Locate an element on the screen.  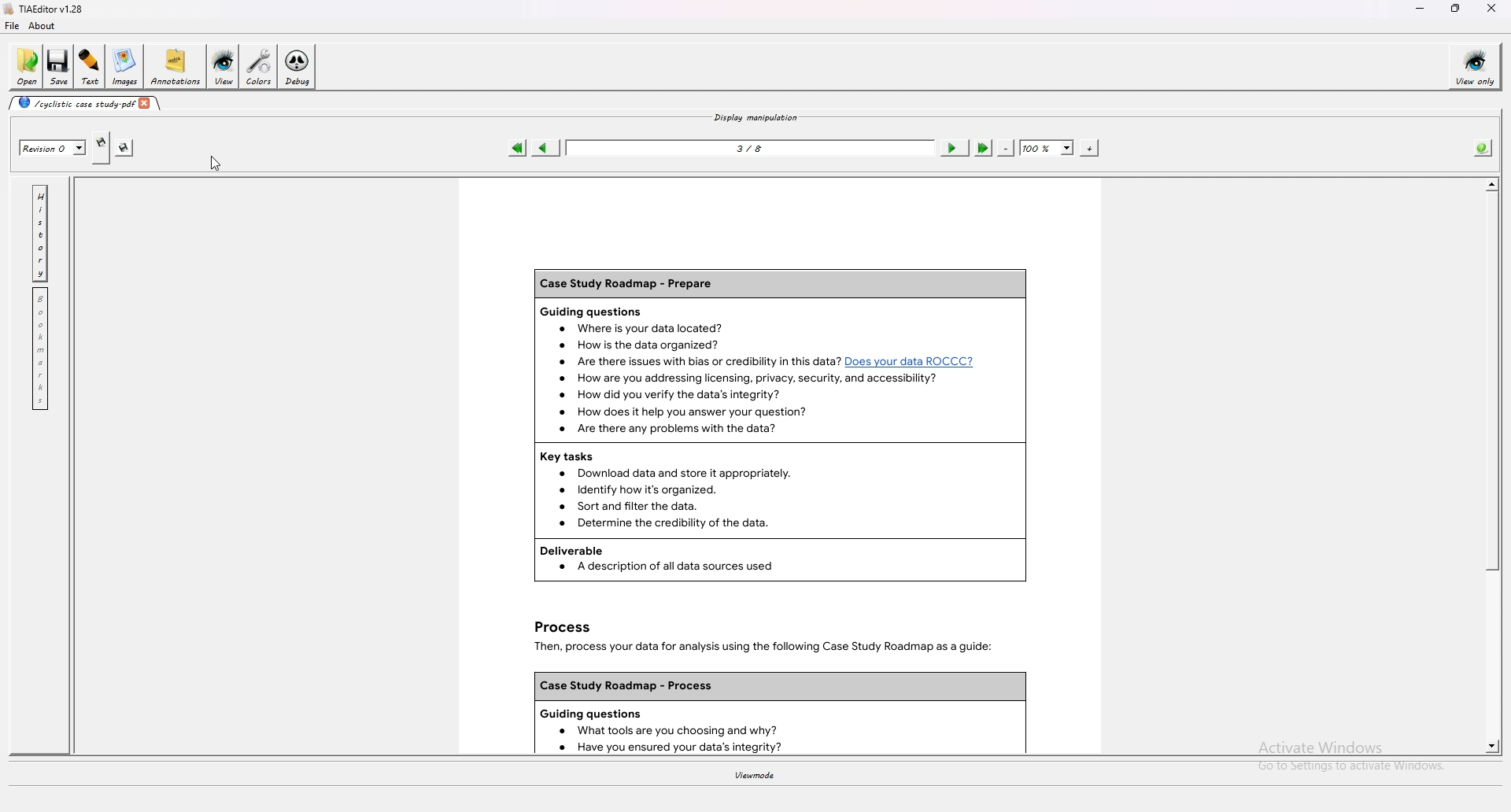
Download data and store it appropriately. is located at coordinates (672, 473).